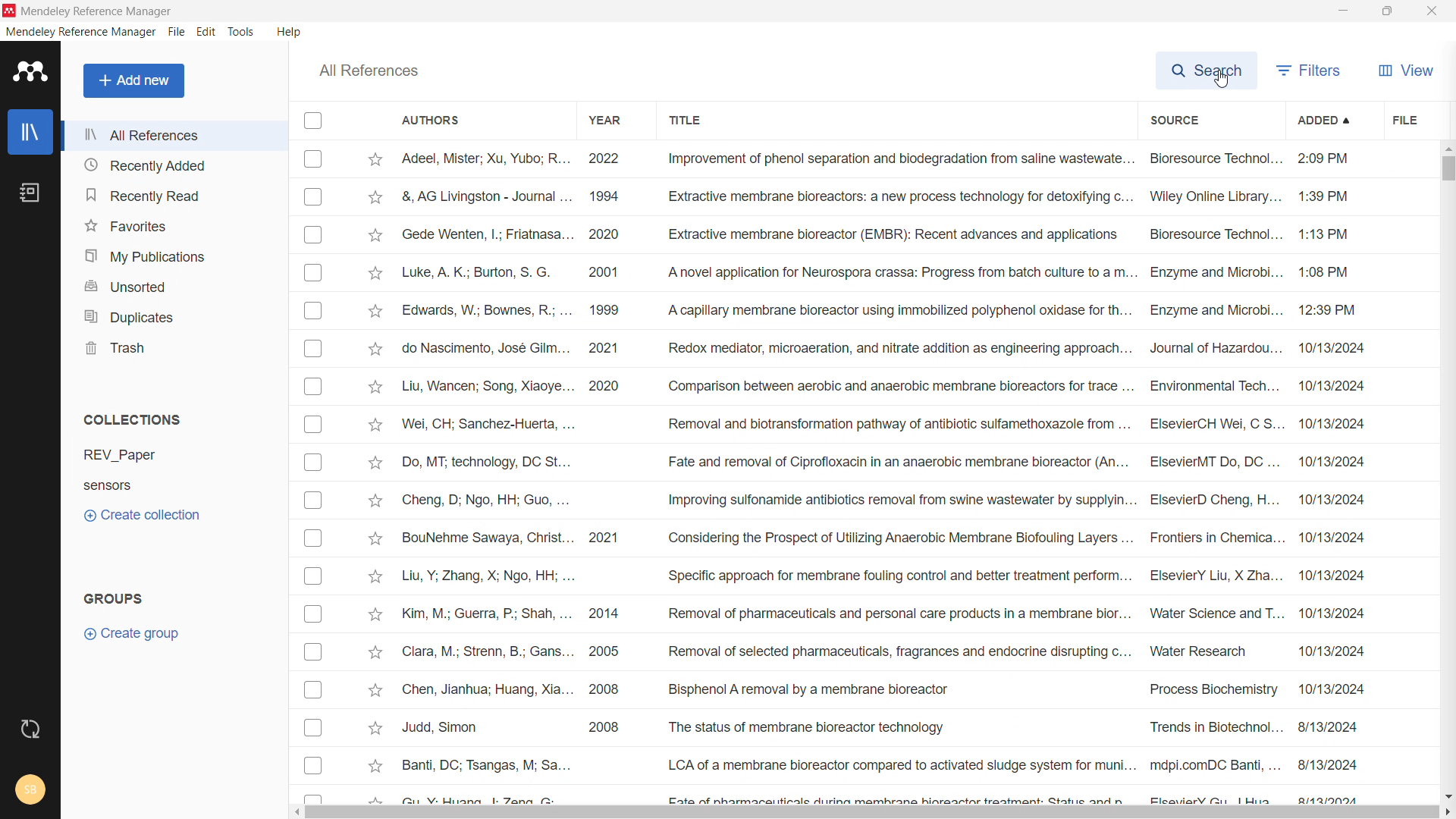 This screenshot has height=819, width=1456. I want to click on scroll right, so click(1447, 811).